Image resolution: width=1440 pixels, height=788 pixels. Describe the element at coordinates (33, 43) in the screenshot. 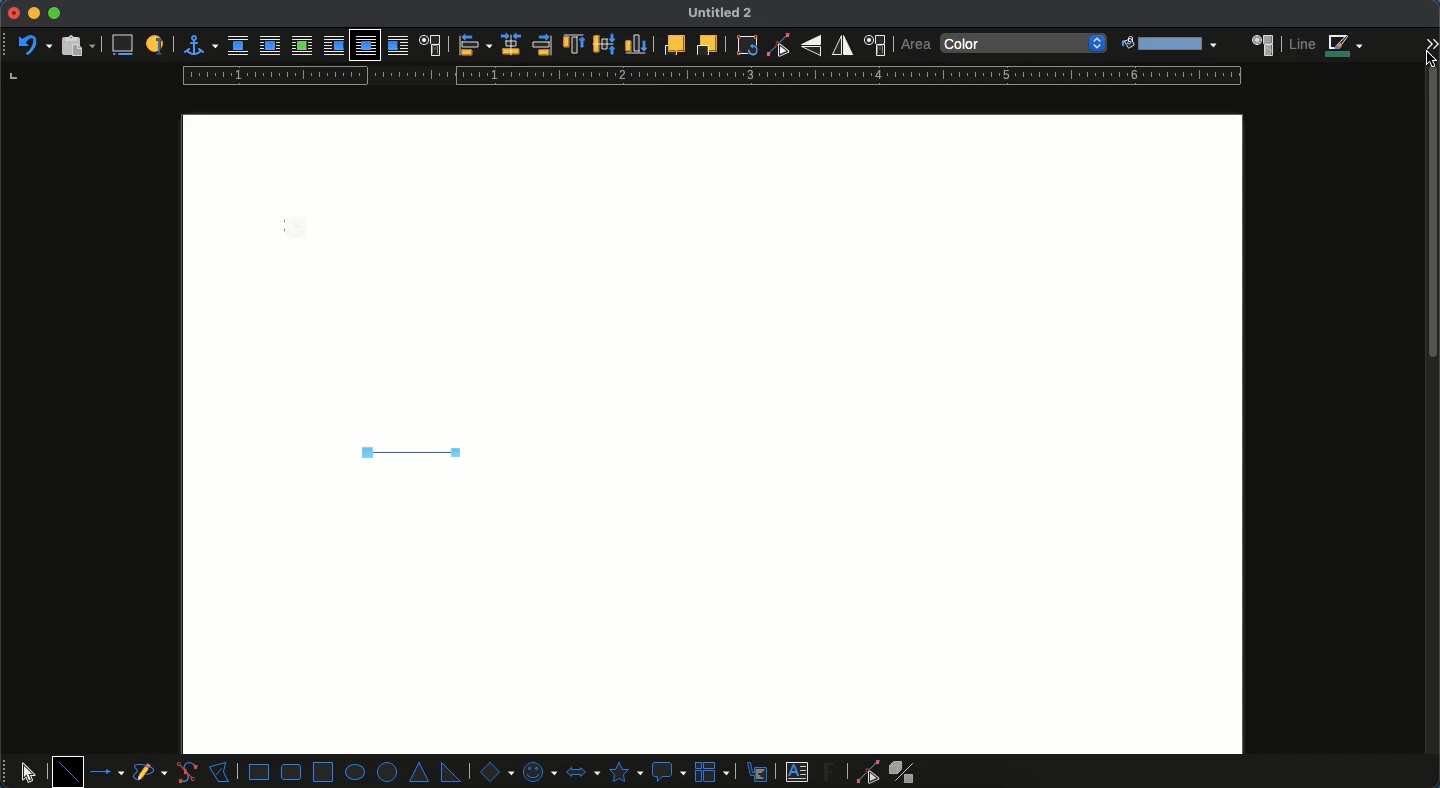

I see `undo` at that location.